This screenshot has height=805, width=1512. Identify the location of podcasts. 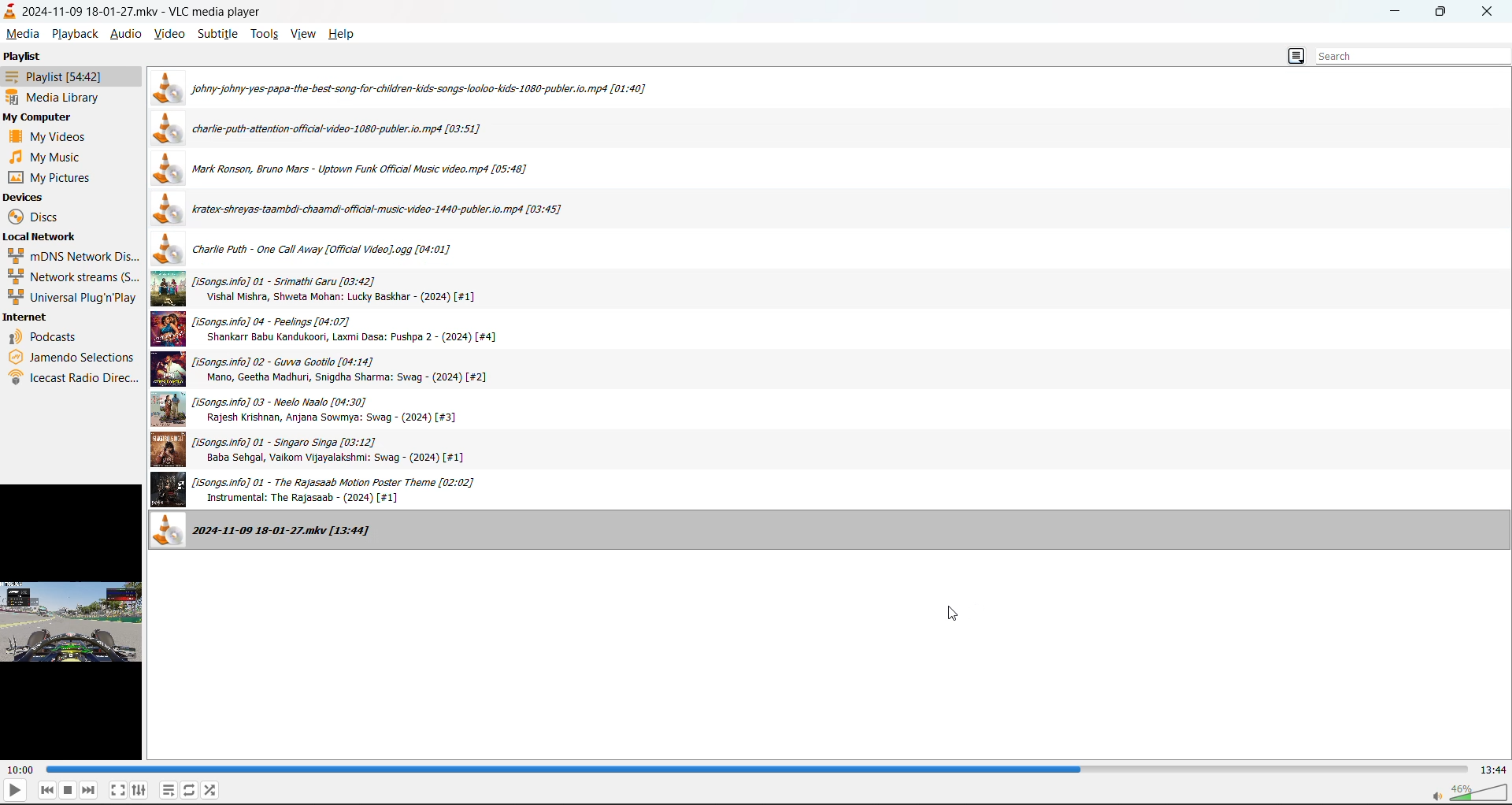
(47, 337).